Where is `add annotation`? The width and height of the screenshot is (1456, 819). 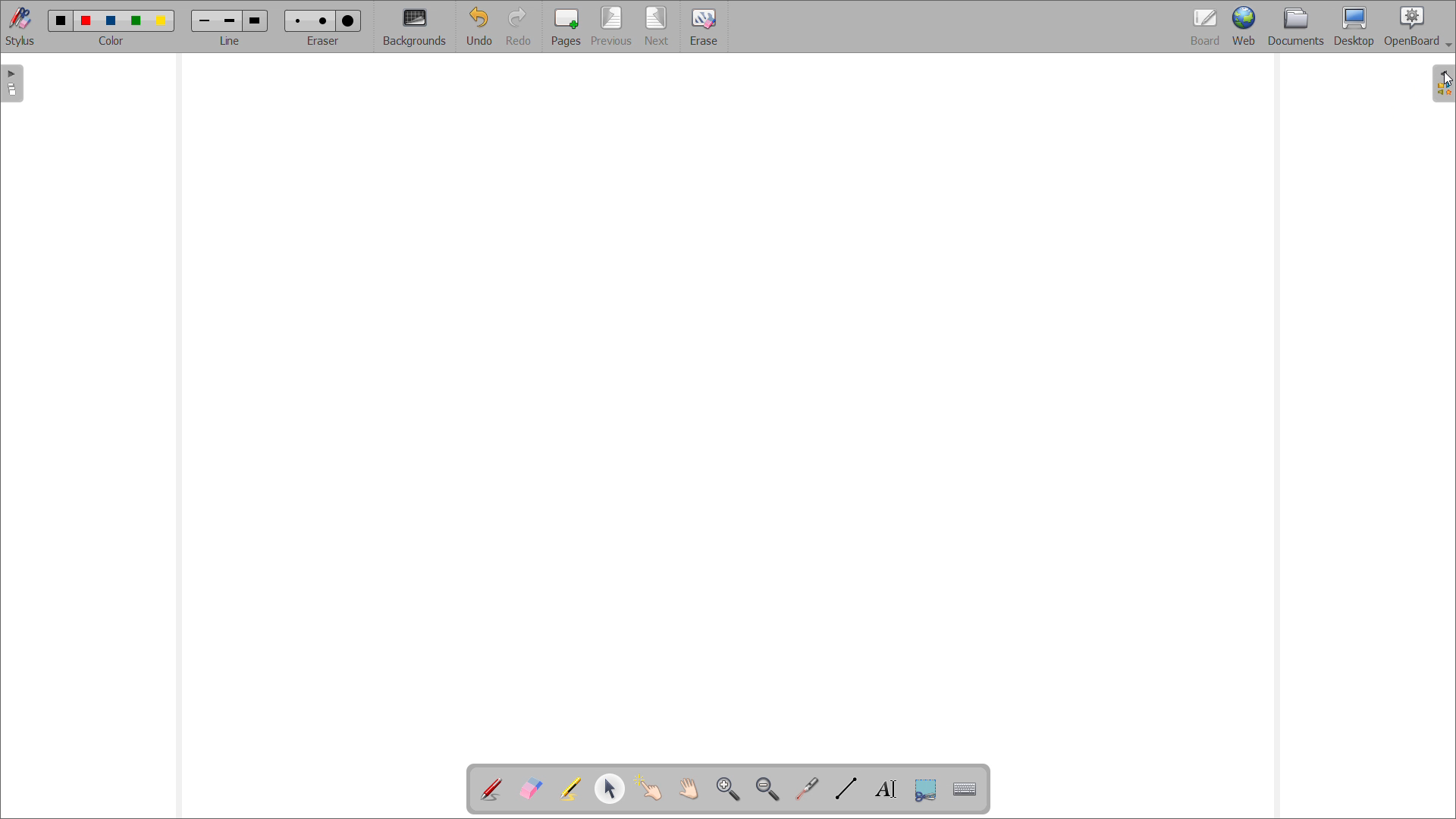
add annotation is located at coordinates (491, 789).